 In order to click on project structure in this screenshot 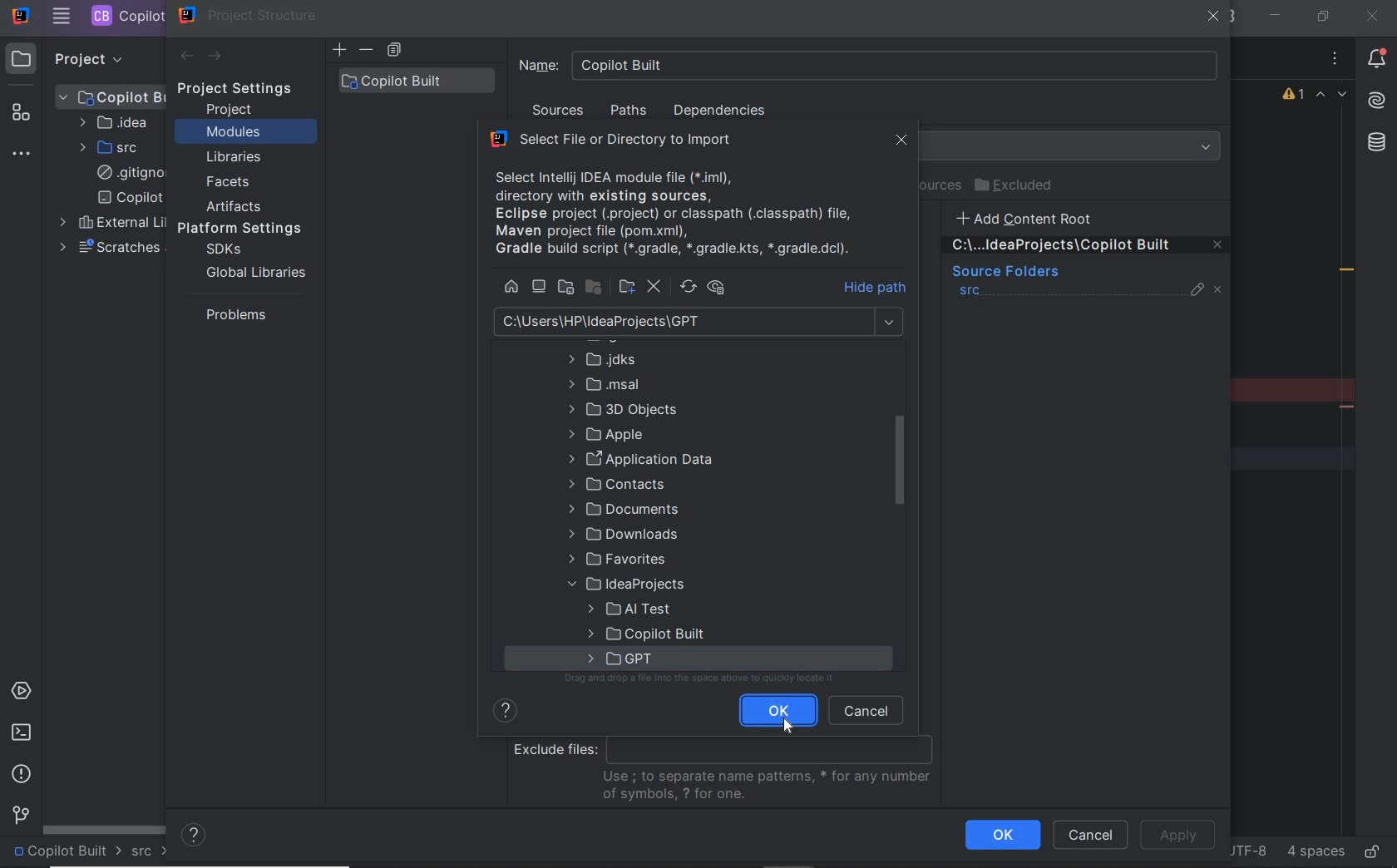, I will do `click(249, 15)`.